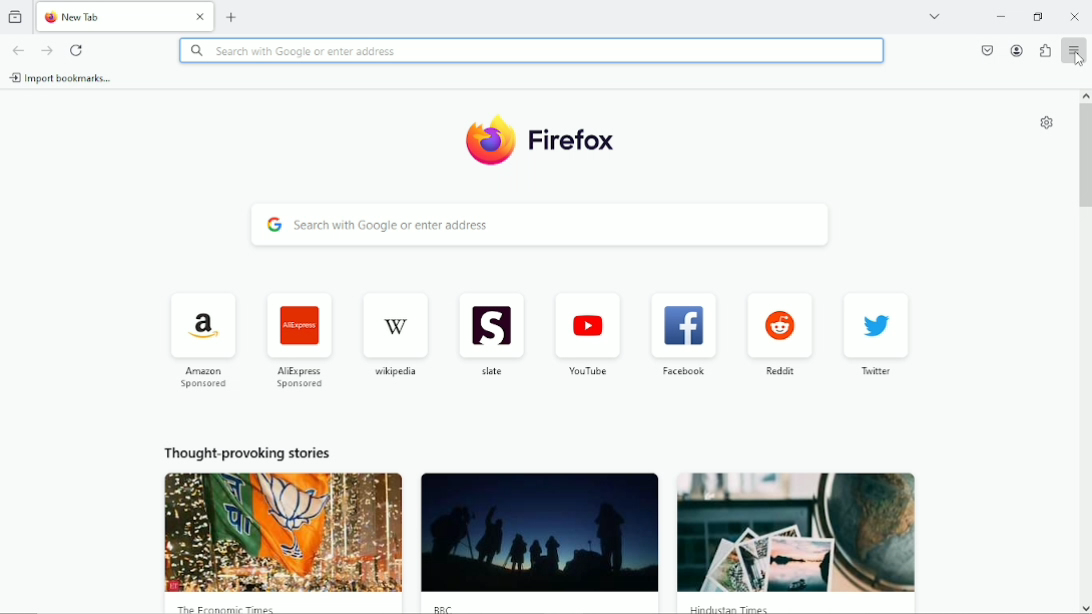 The width and height of the screenshot is (1092, 614). What do you see at coordinates (728, 609) in the screenshot?
I see `Hindustan Times` at bounding box center [728, 609].